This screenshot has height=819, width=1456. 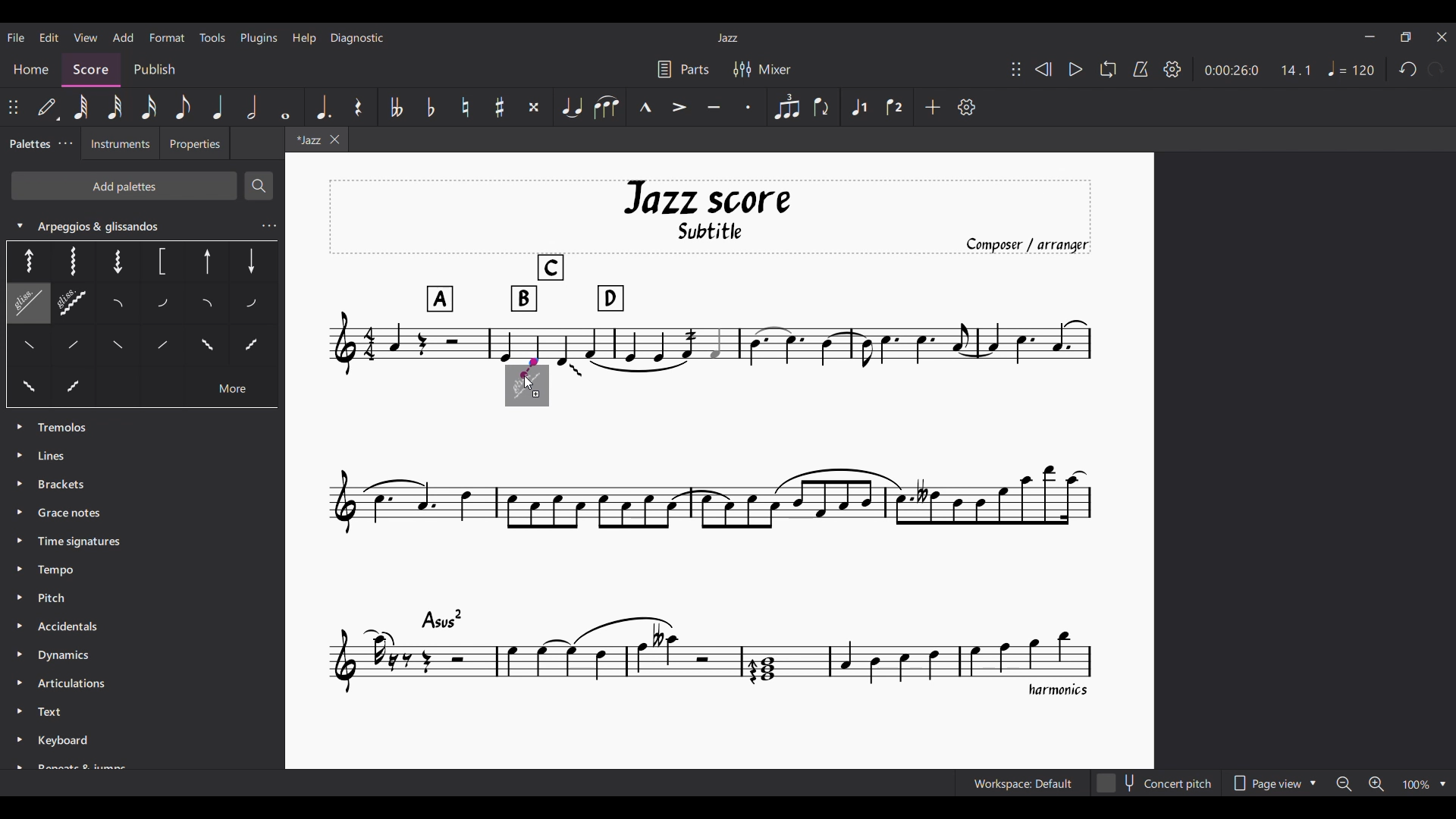 I want to click on Augmentation dot, so click(x=322, y=107).